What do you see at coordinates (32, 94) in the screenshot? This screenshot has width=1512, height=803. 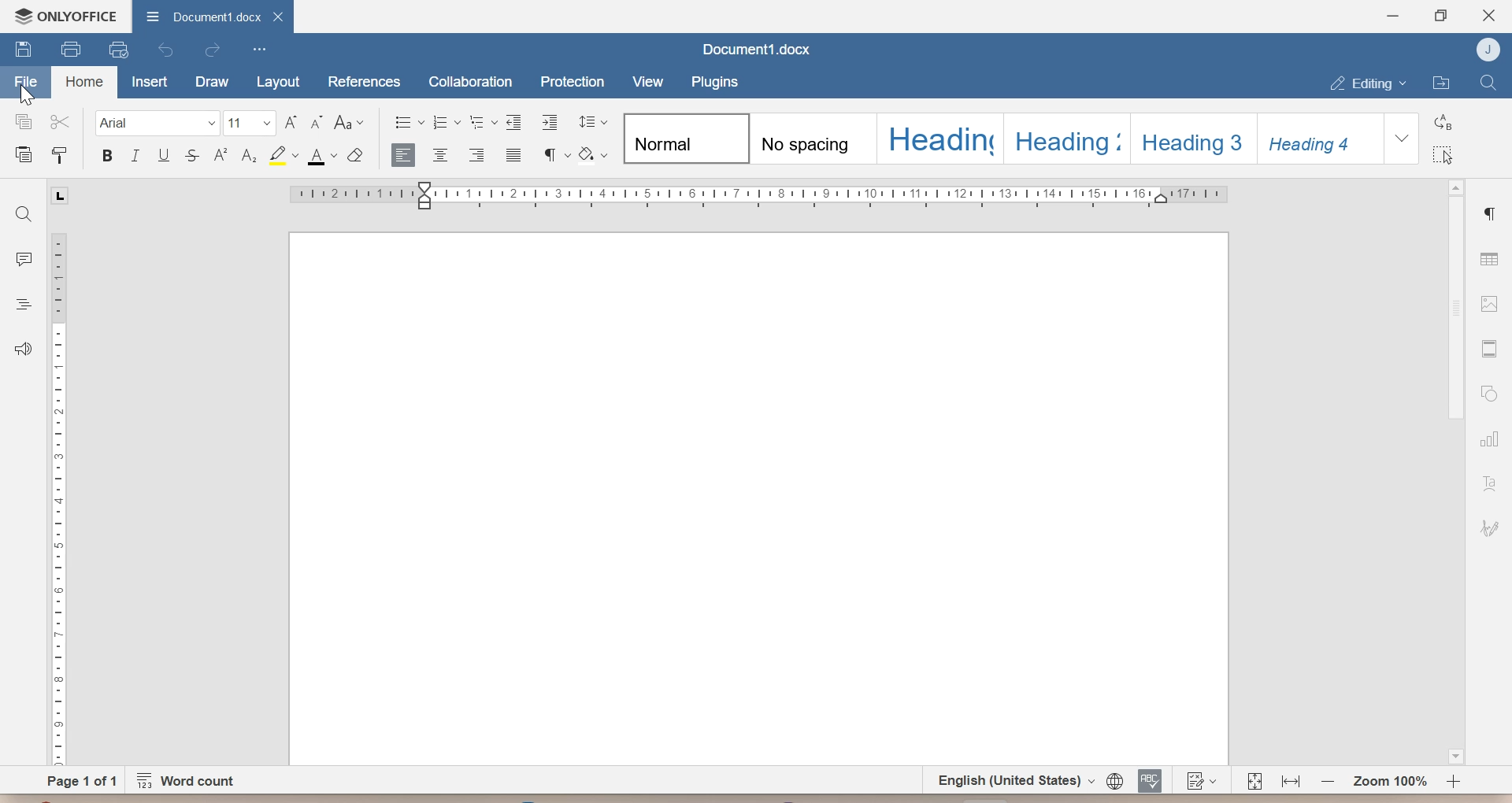 I see `cursor on file` at bounding box center [32, 94].